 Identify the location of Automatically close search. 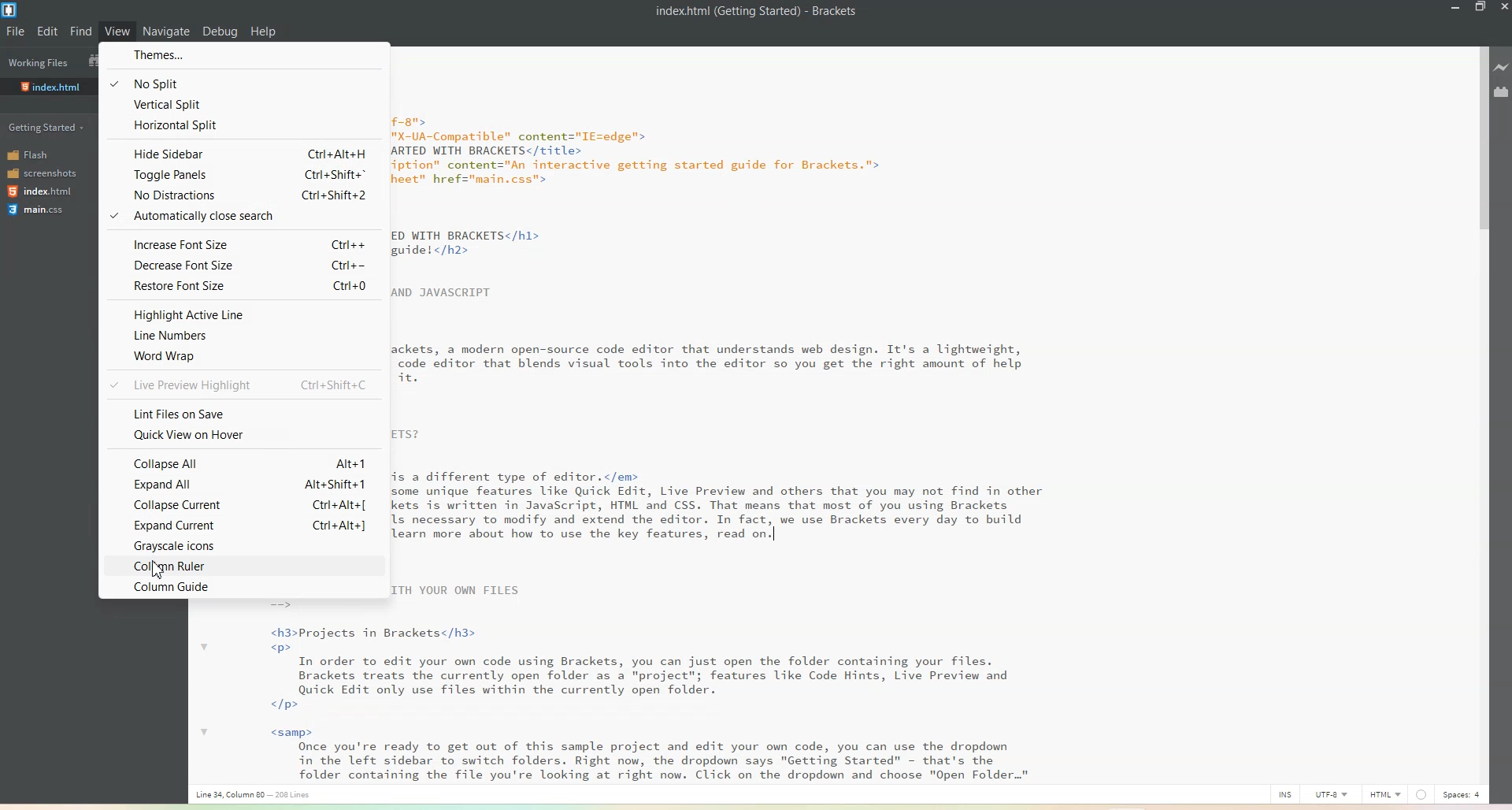
(241, 216).